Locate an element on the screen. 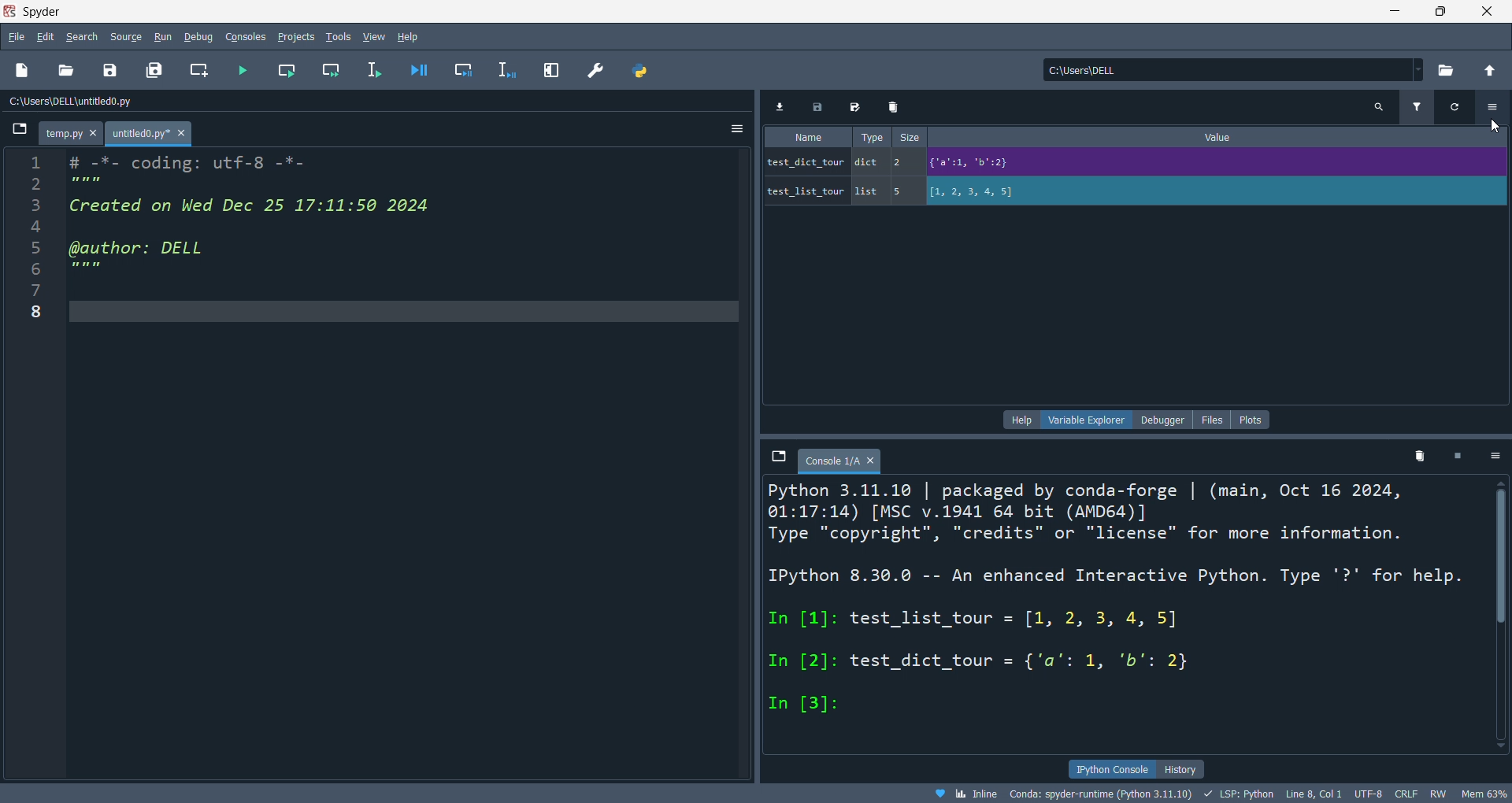 This screenshot has width=1512, height=803. test_list_tour is located at coordinates (1134, 191).